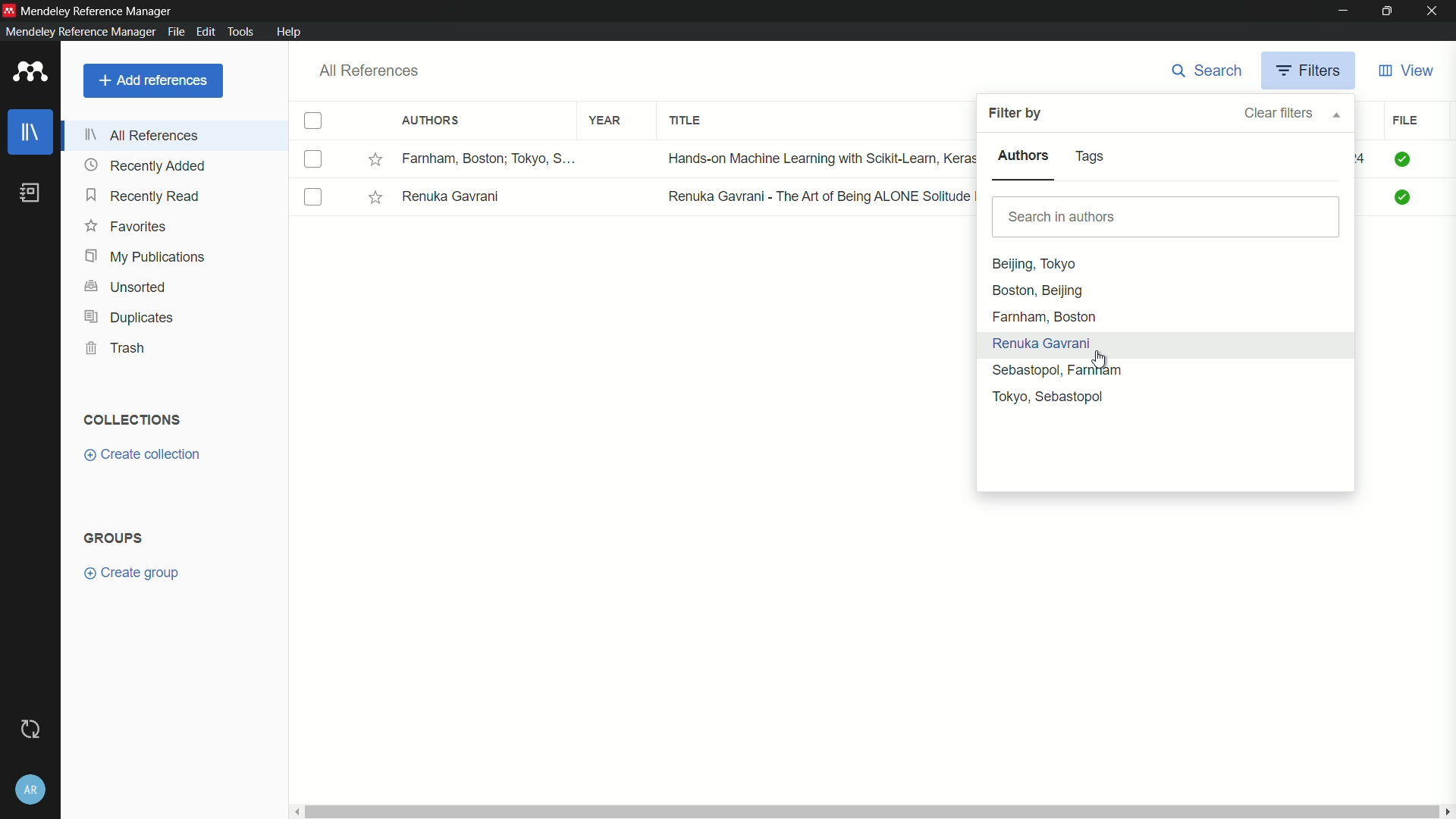 The width and height of the screenshot is (1456, 819). What do you see at coordinates (1042, 290) in the screenshot?
I see `Boston, Beijing` at bounding box center [1042, 290].